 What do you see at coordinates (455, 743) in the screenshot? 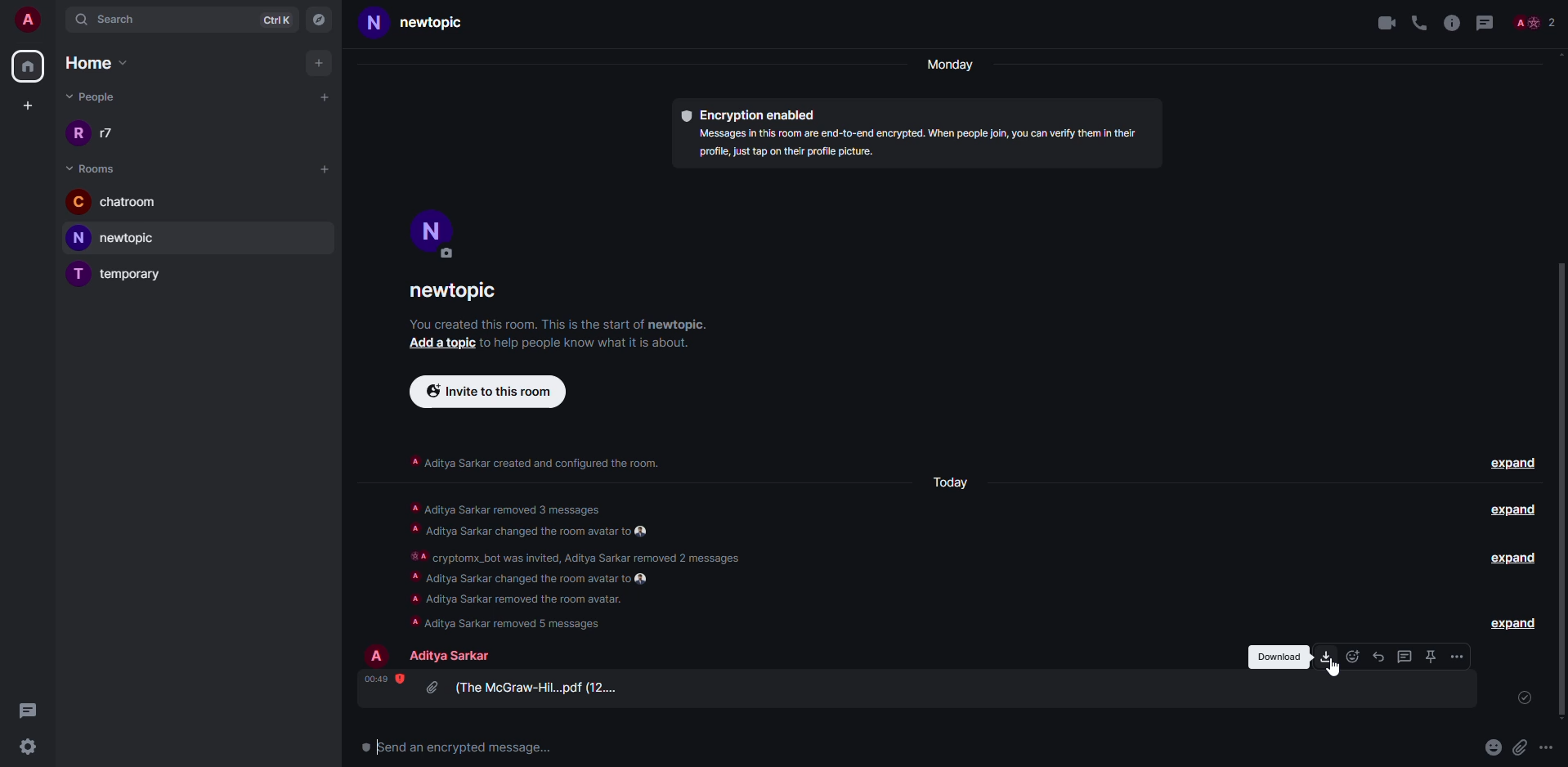
I see `send an encrypted message` at bounding box center [455, 743].